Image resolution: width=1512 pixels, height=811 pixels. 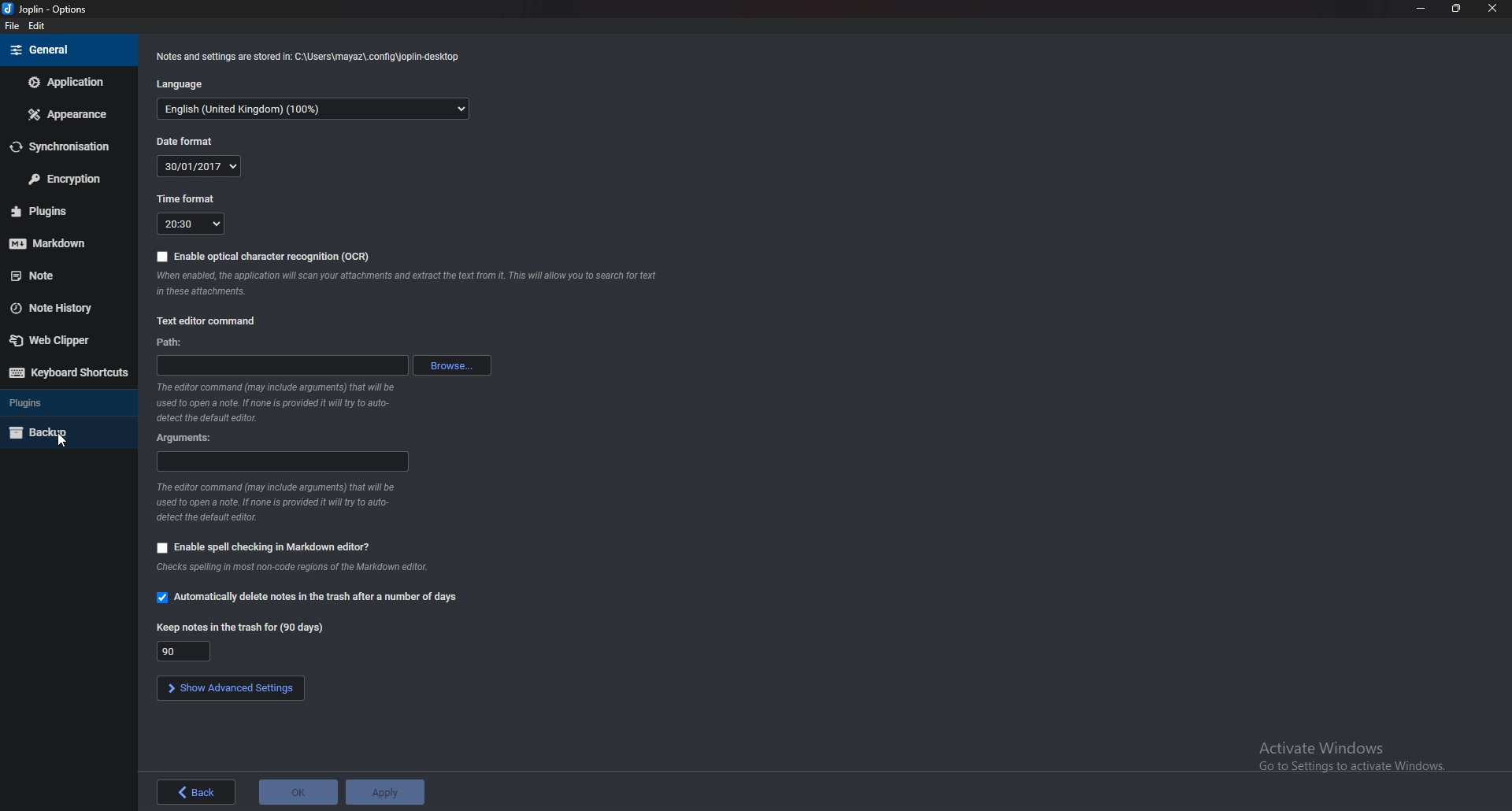 What do you see at coordinates (321, 109) in the screenshot?
I see `English ` at bounding box center [321, 109].